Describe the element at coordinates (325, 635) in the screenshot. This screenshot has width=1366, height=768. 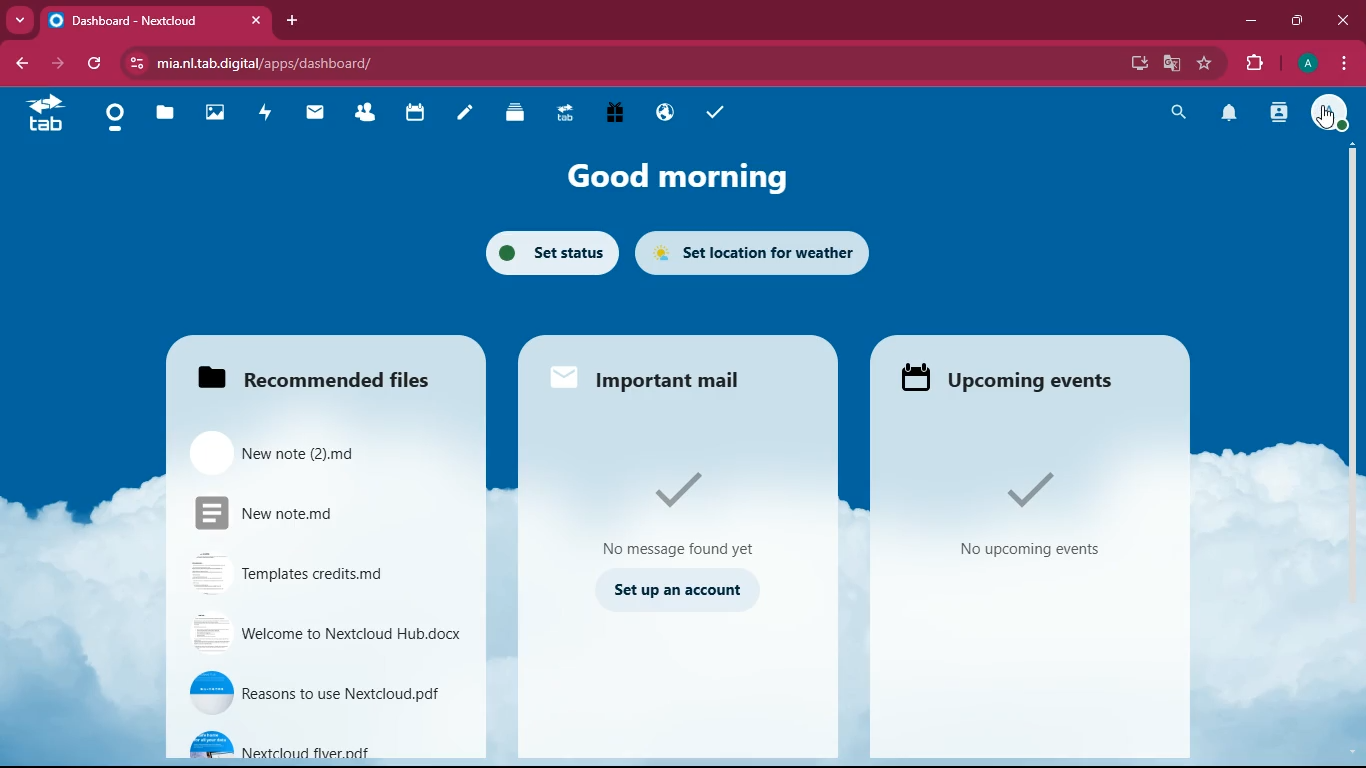
I see `Welcome to nextcloud hub.docx` at that location.